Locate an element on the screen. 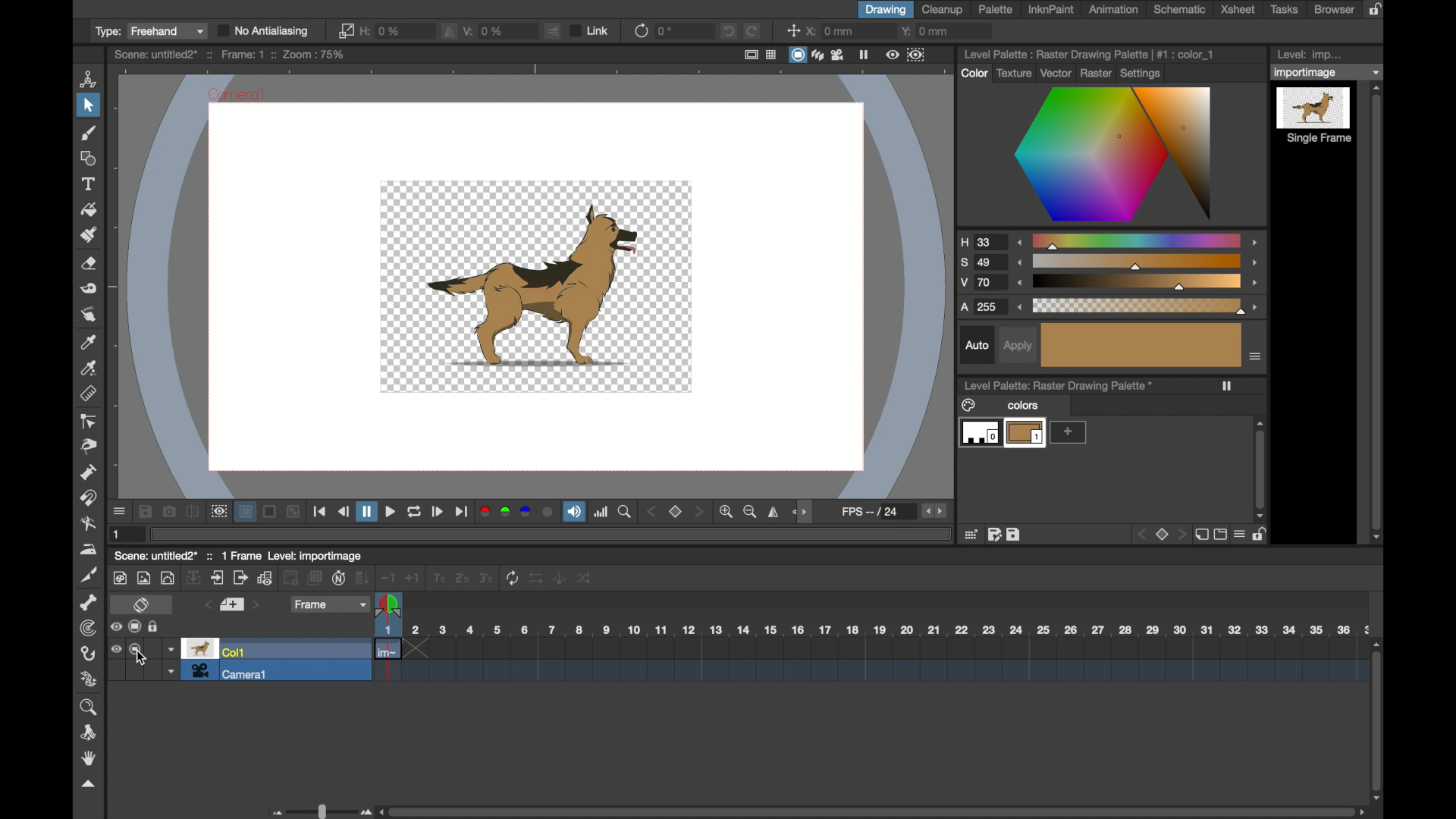 Image resolution: width=1456 pixels, height=819 pixels. down is located at coordinates (364, 578).